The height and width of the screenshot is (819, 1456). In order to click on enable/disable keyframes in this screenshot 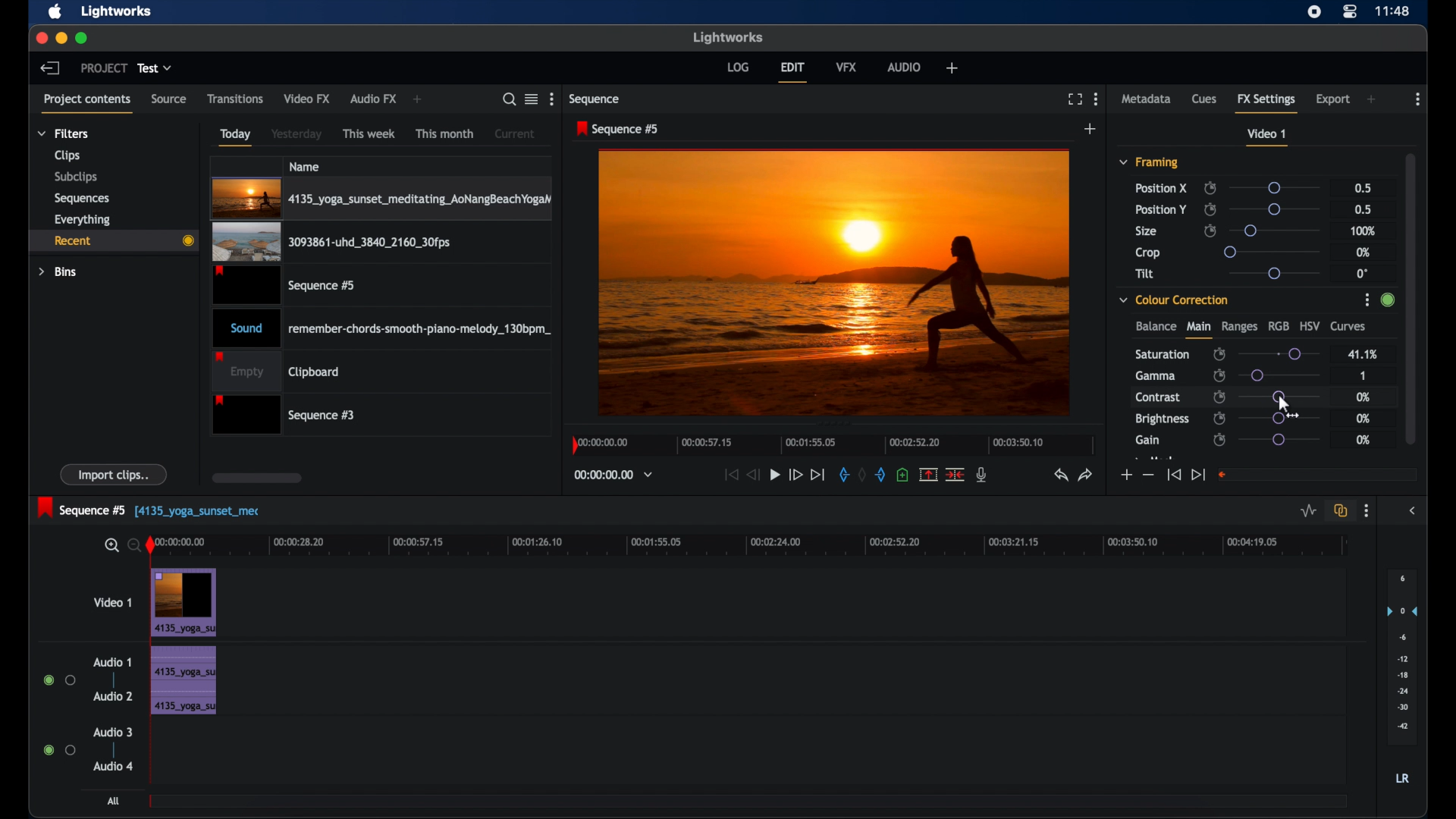, I will do `click(1219, 375)`.